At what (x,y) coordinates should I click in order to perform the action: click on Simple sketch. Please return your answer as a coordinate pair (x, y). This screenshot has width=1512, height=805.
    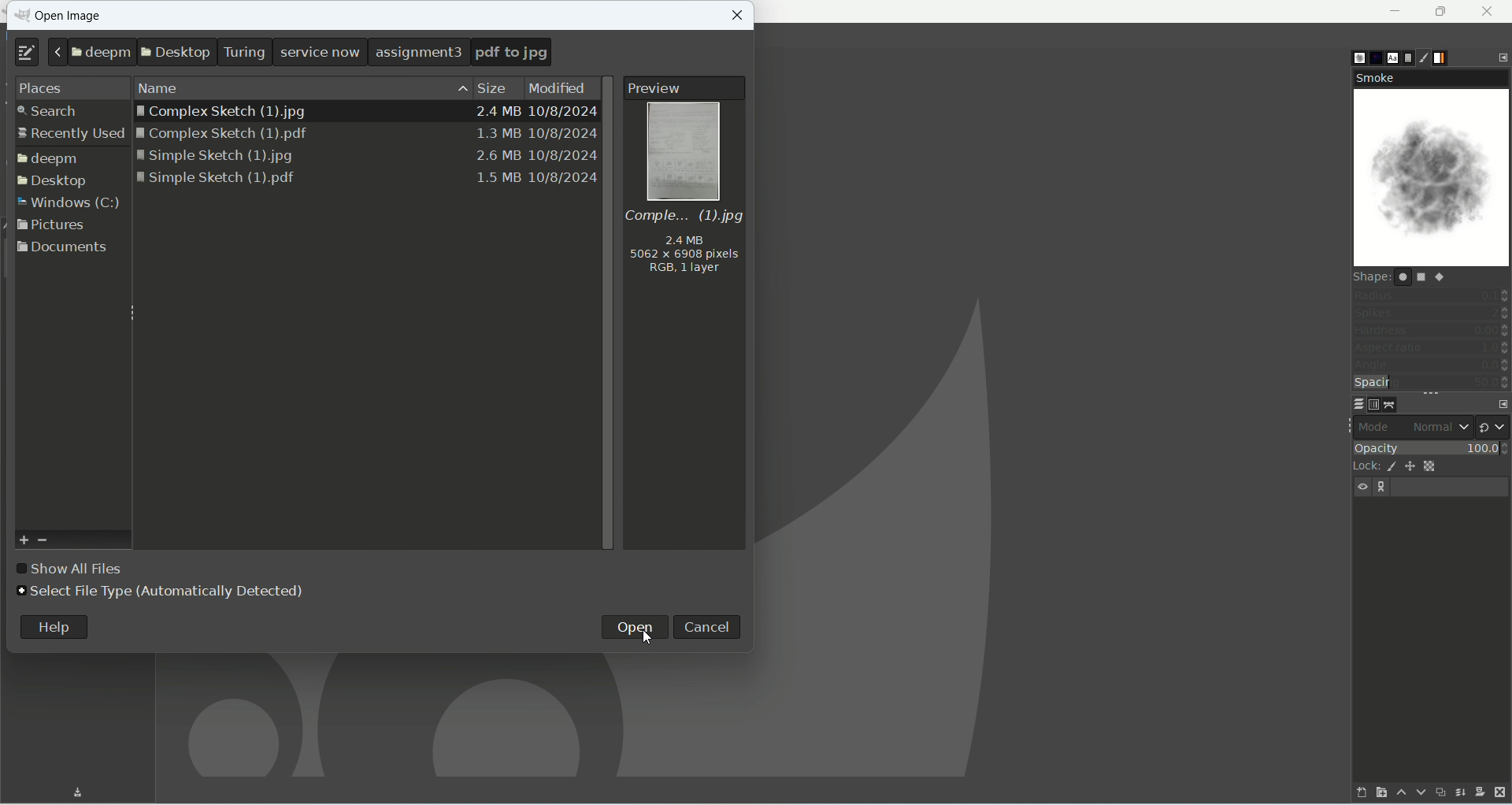
    Looking at the image, I should click on (368, 179).